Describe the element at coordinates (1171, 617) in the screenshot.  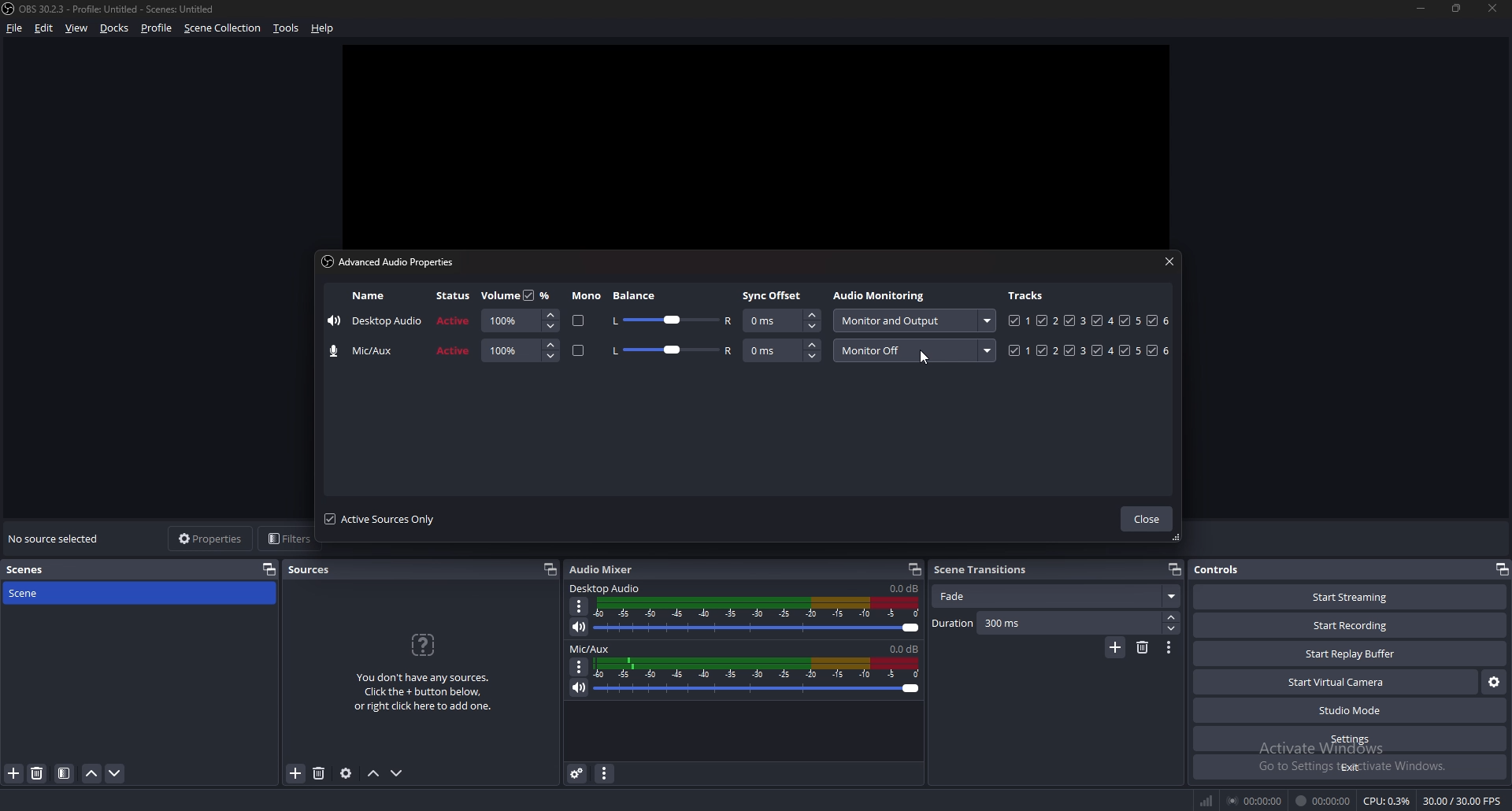
I see `increase duration` at that location.